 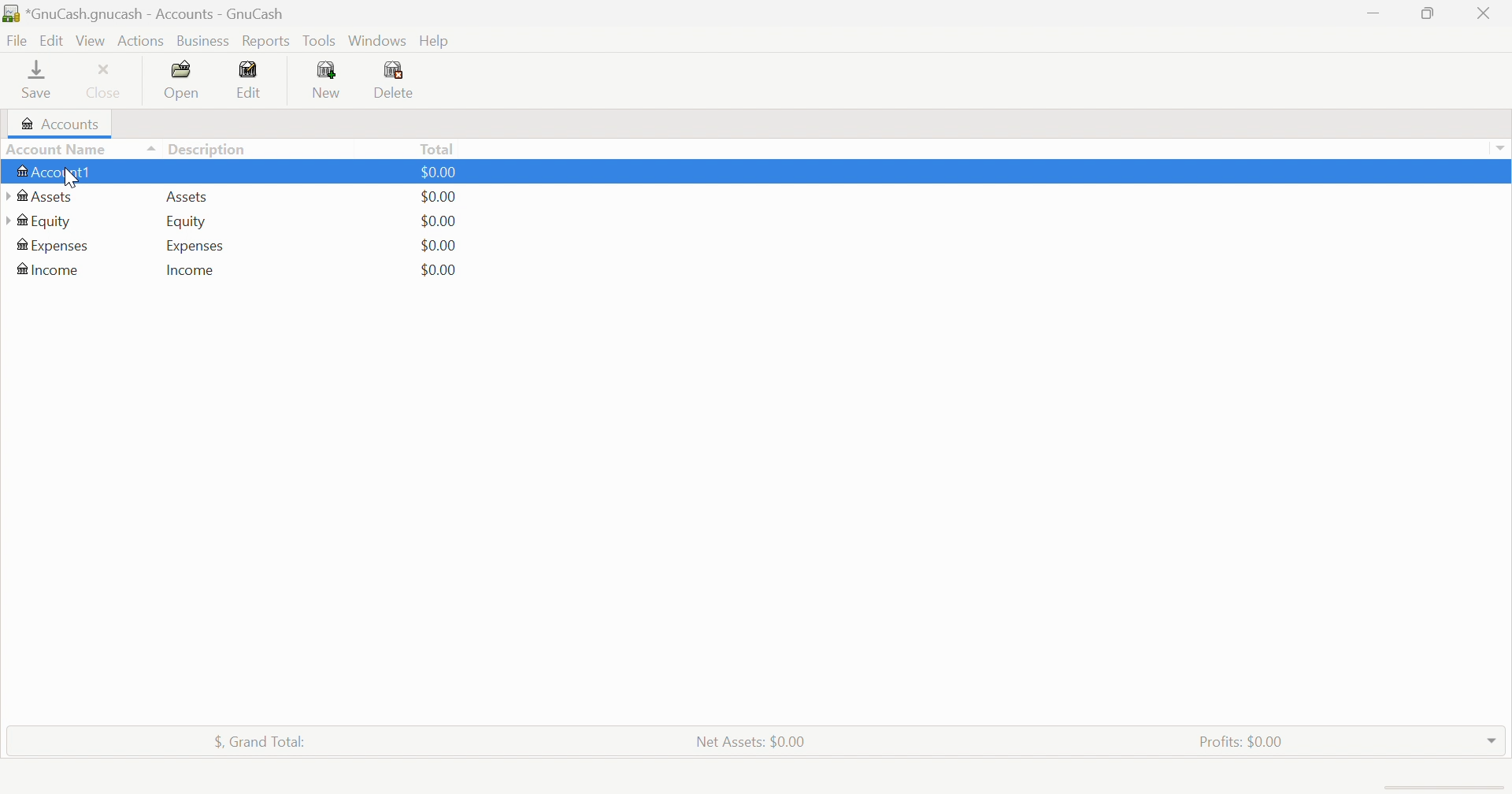 What do you see at coordinates (439, 171) in the screenshot?
I see `$0.00` at bounding box center [439, 171].